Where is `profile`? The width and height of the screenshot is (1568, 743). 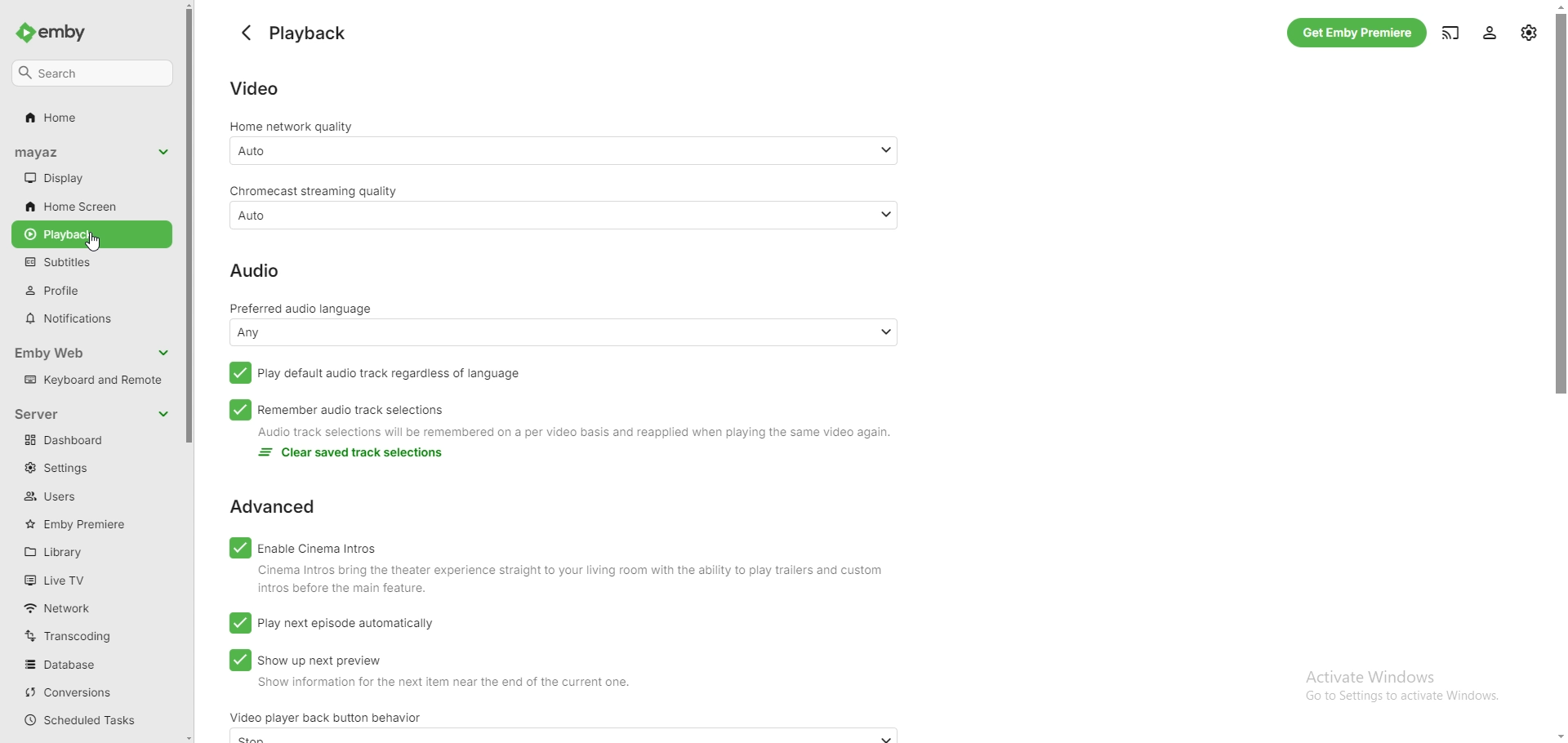 profile is located at coordinates (1492, 32).